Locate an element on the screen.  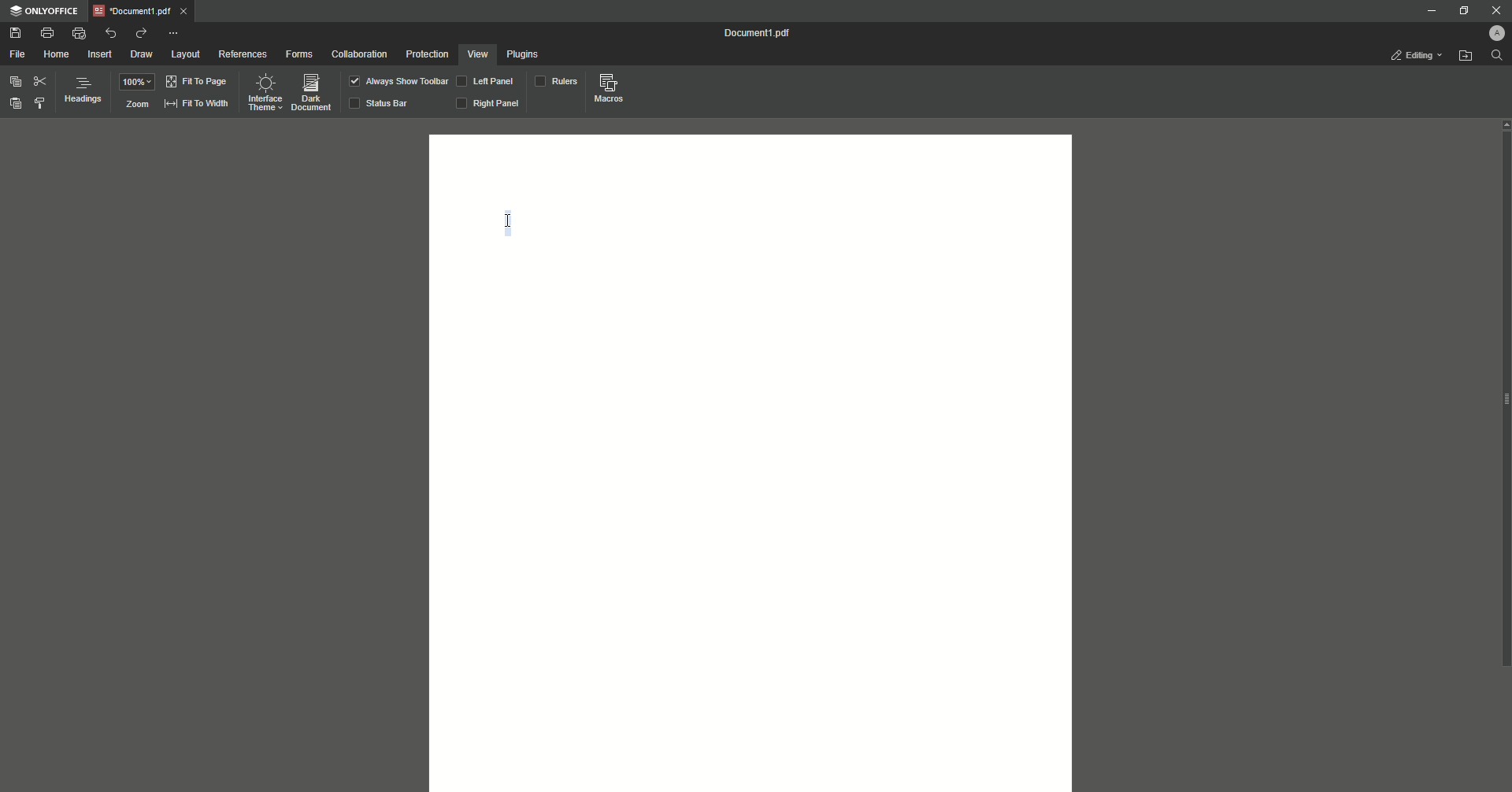
Protection is located at coordinates (428, 55).